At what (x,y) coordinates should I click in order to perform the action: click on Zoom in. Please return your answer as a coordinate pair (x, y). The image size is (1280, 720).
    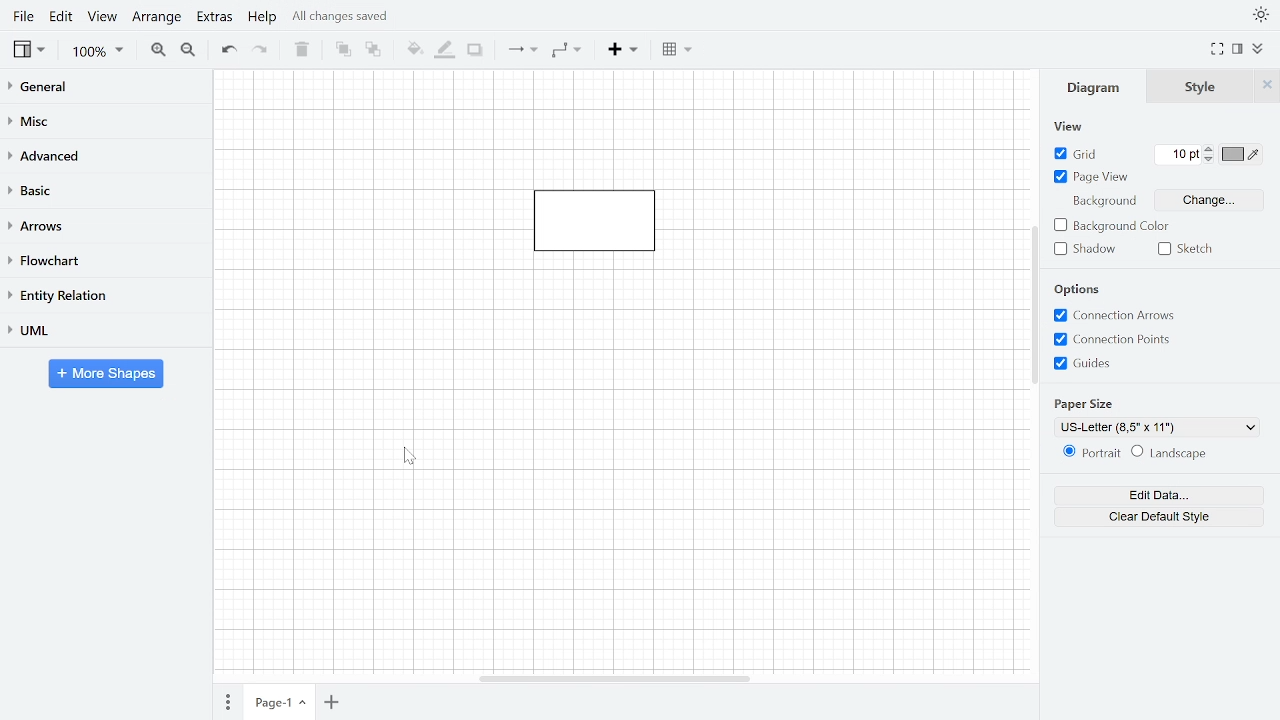
    Looking at the image, I should click on (157, 50).